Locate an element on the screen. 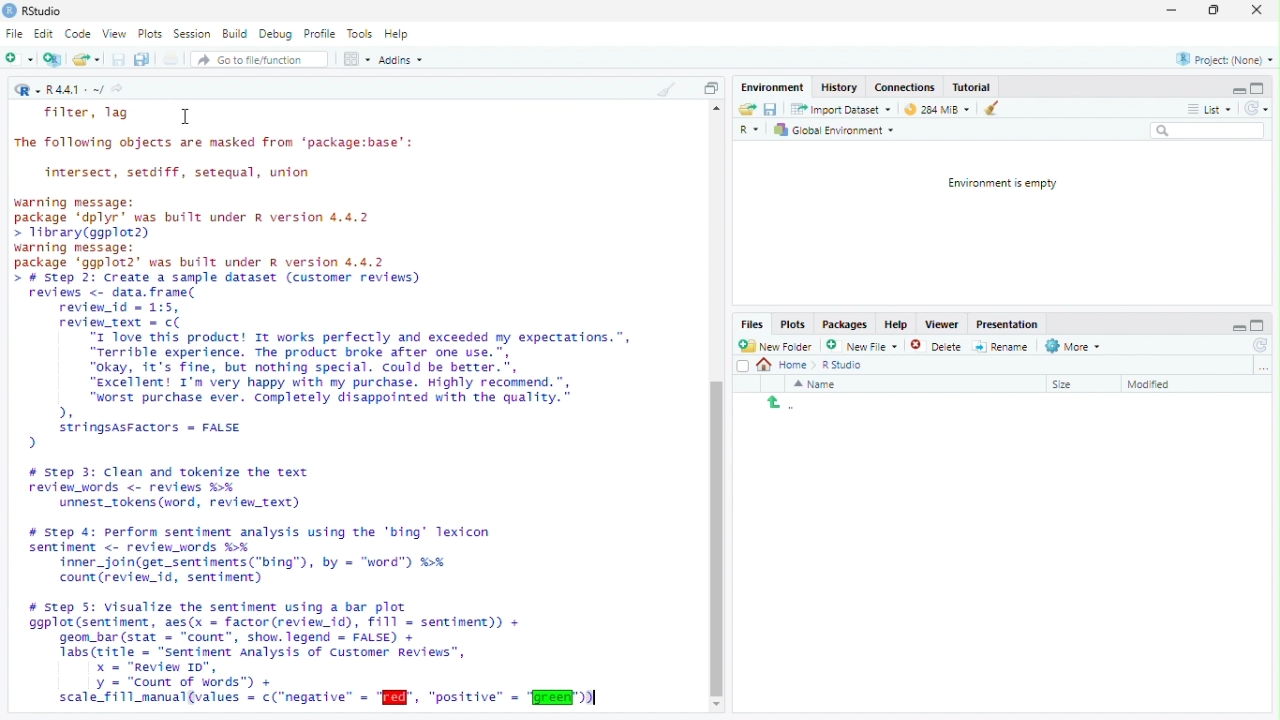 The height and width of the screenshot is (720, 1280). Minimize is located at coordinates (1237, 89).